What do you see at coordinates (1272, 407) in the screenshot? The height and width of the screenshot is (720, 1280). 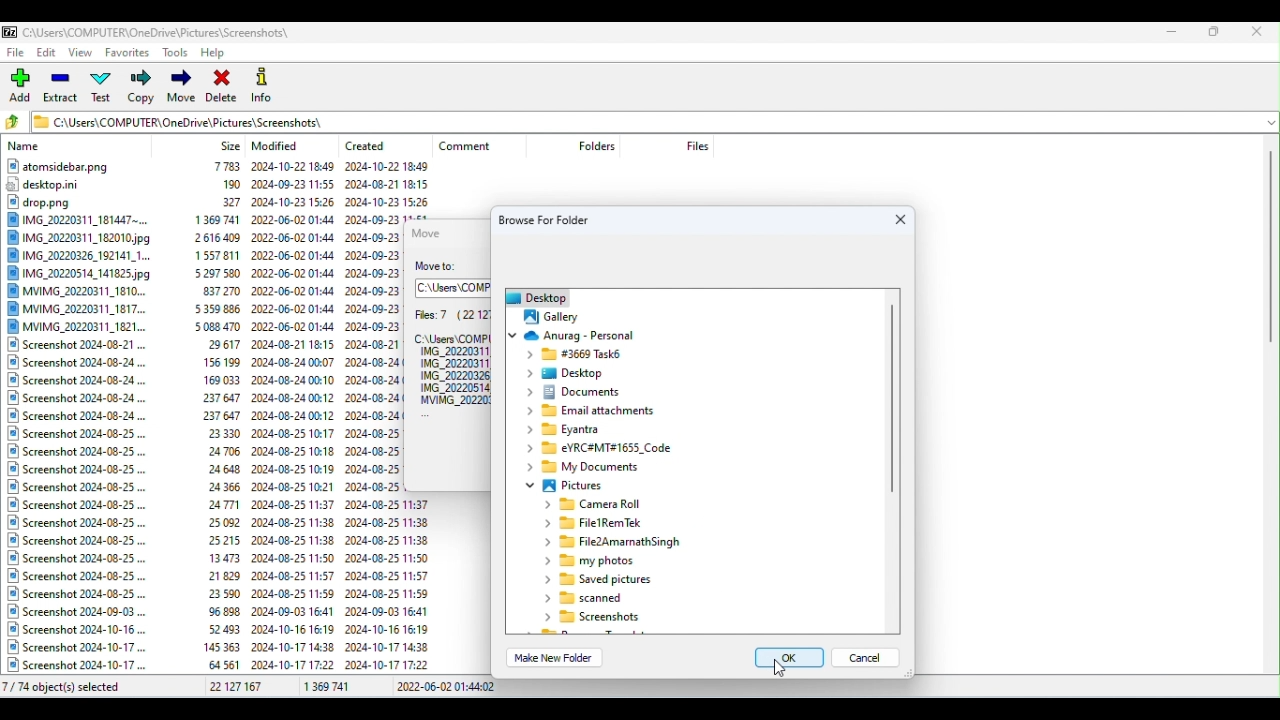 I see `Scroll bar` at bounding box center [1272, 407].